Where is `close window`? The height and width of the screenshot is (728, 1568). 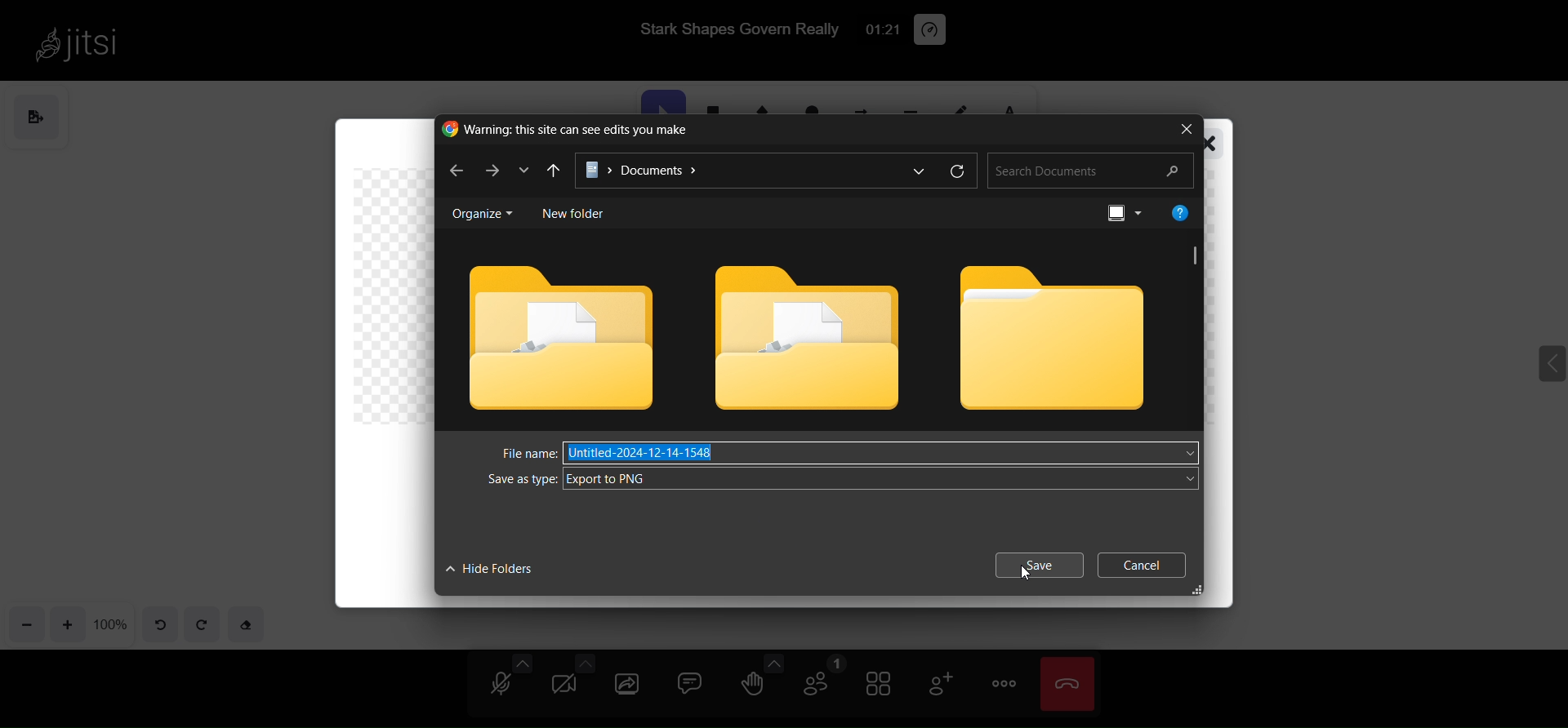 close window is located at coordinates (1186, 122).